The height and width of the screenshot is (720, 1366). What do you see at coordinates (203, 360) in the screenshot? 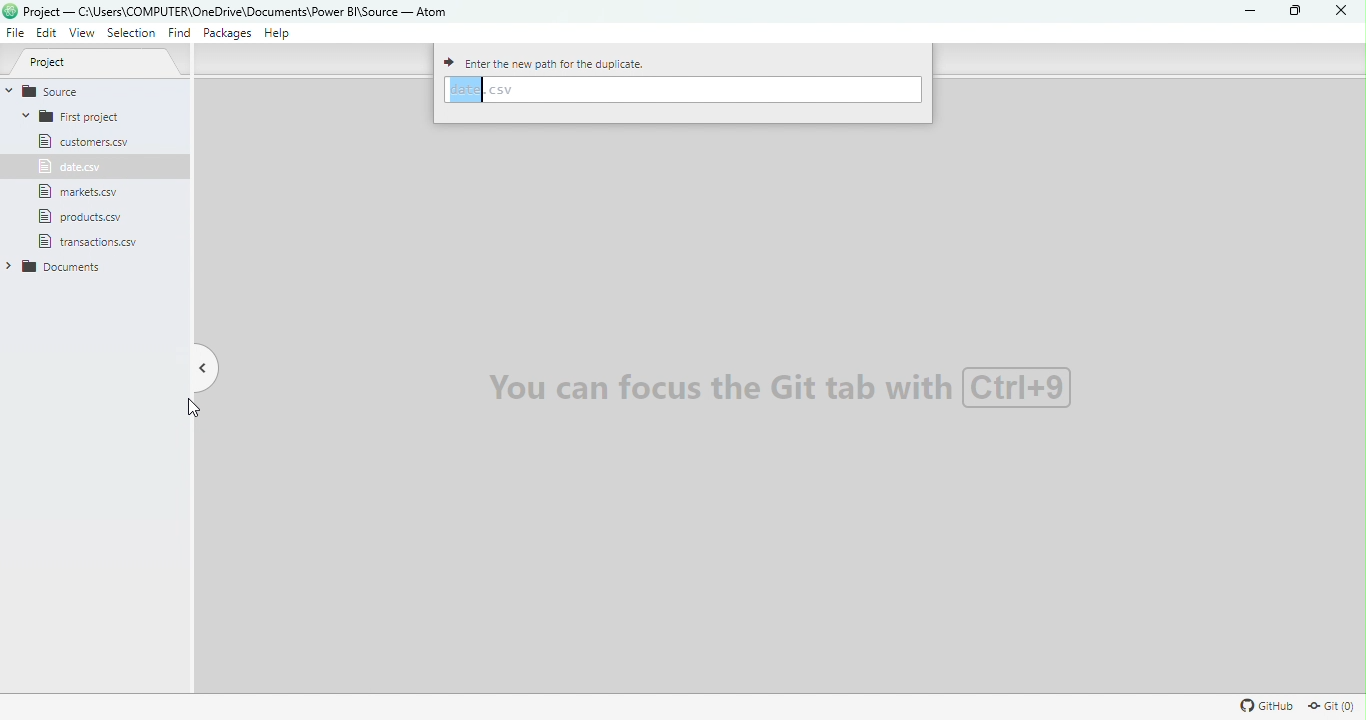
I see `Toggle tree view` at bounding box center [203, 360].